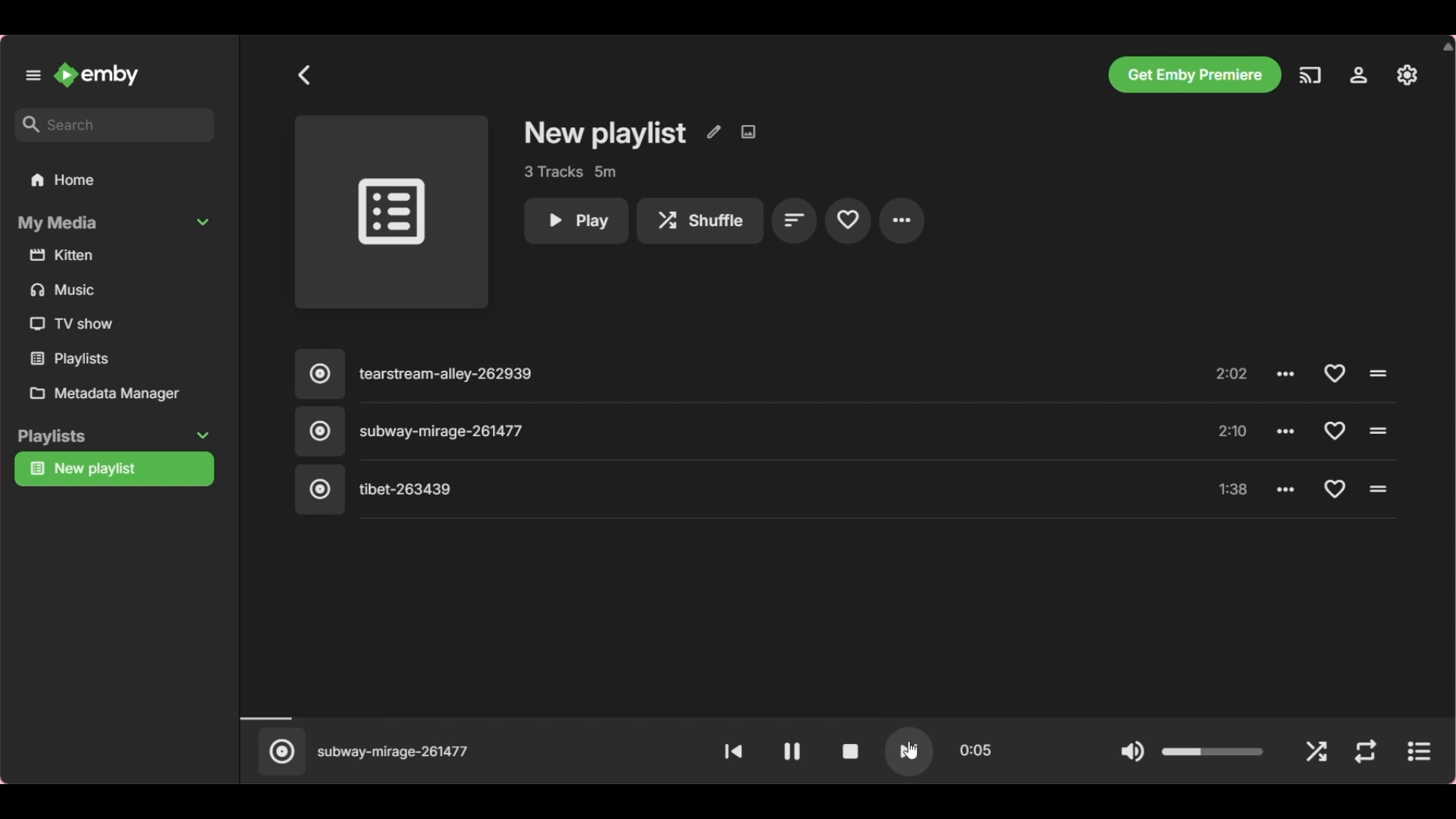  I want to click on Pause video, so click(793, 751).